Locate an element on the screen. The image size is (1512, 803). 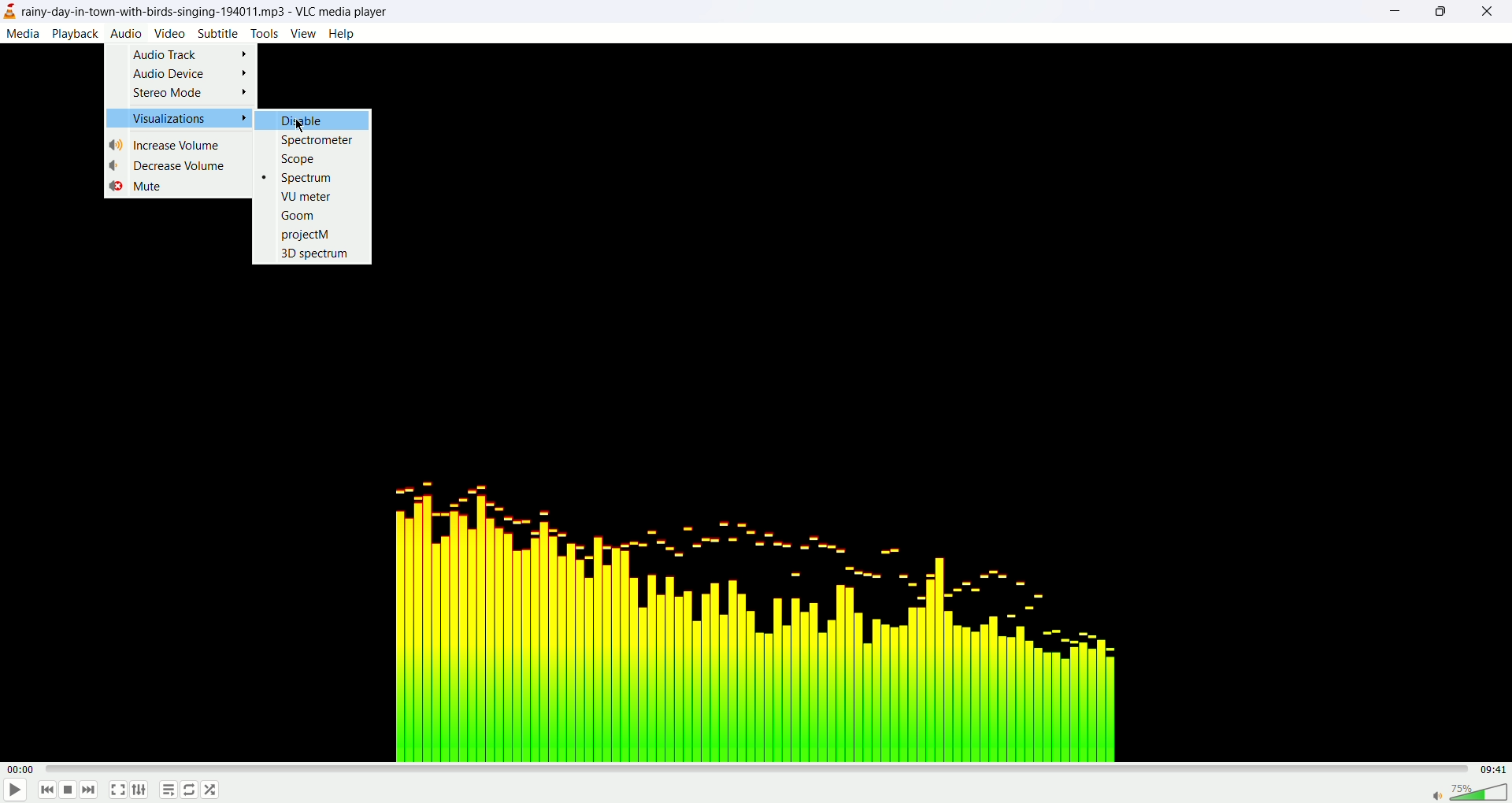
subtitle is located at coordinates (219, 33).